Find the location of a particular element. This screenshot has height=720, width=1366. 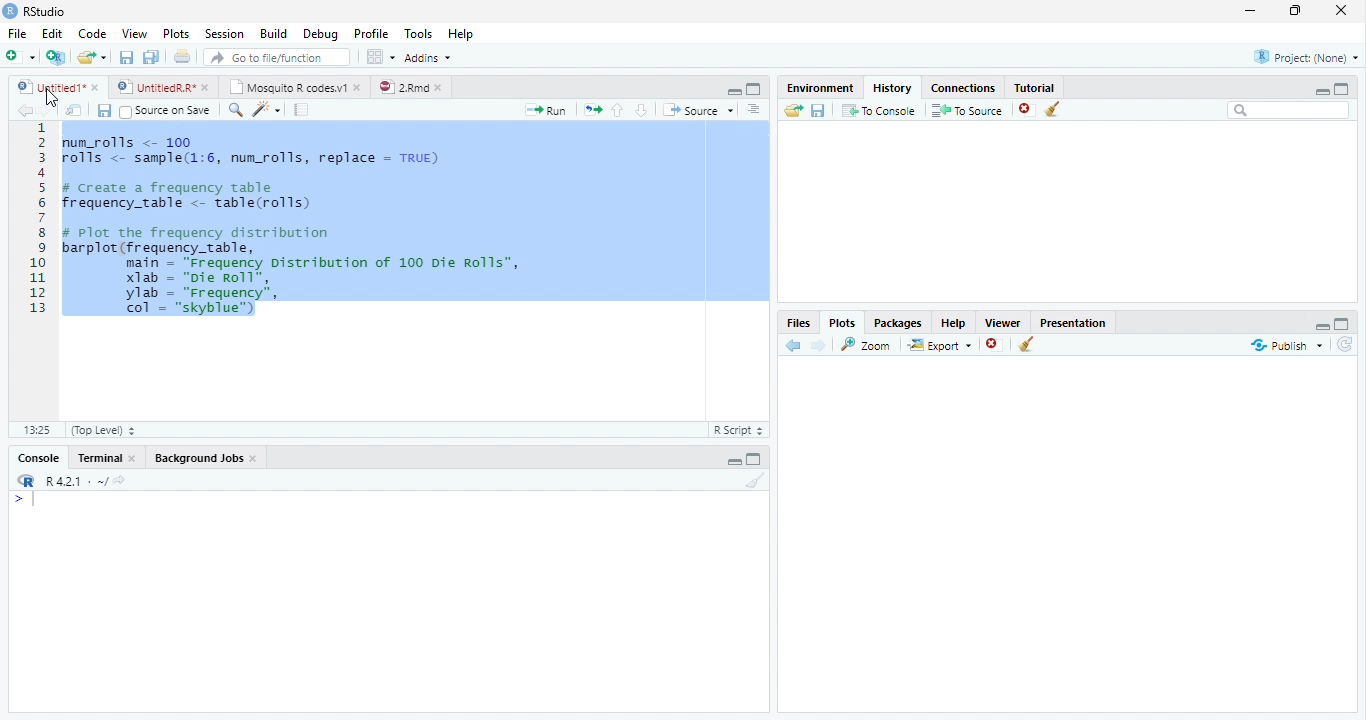

Full Height is located at coordinates (1344, 324).